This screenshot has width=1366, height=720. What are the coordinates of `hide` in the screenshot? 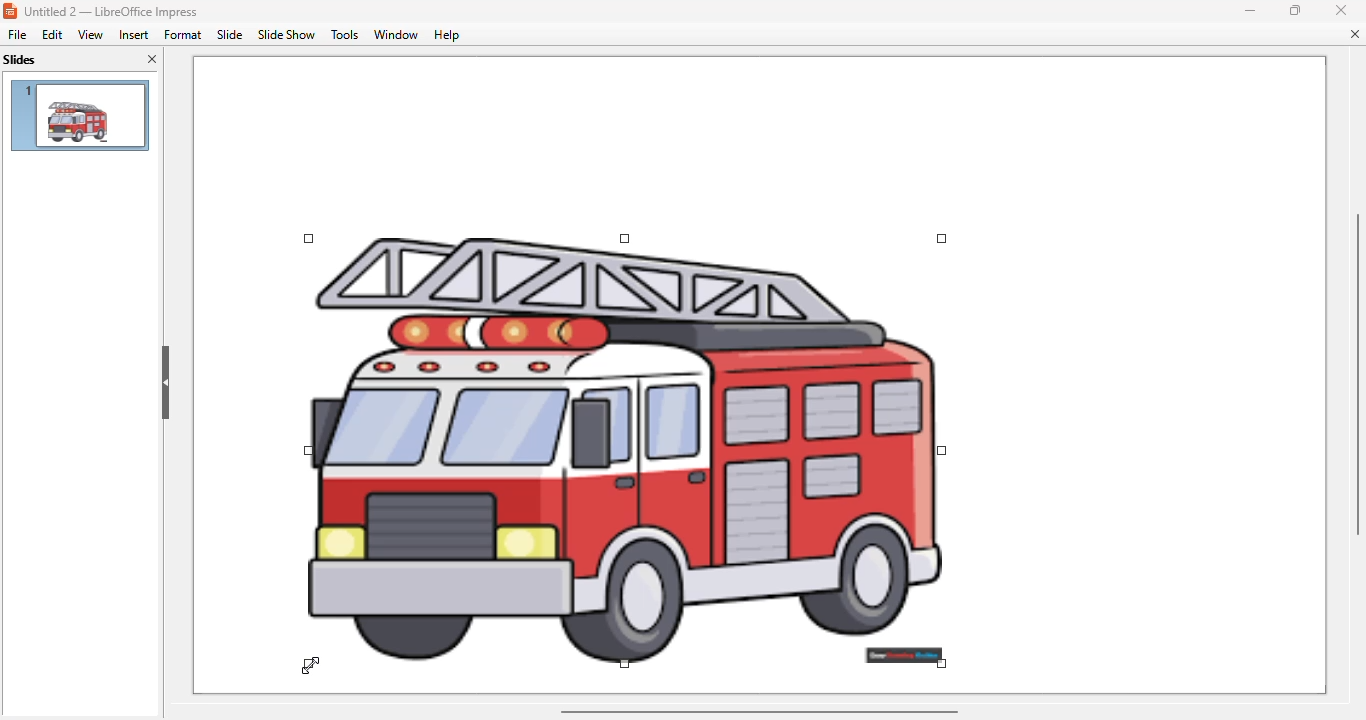 It's located at (166, 384).